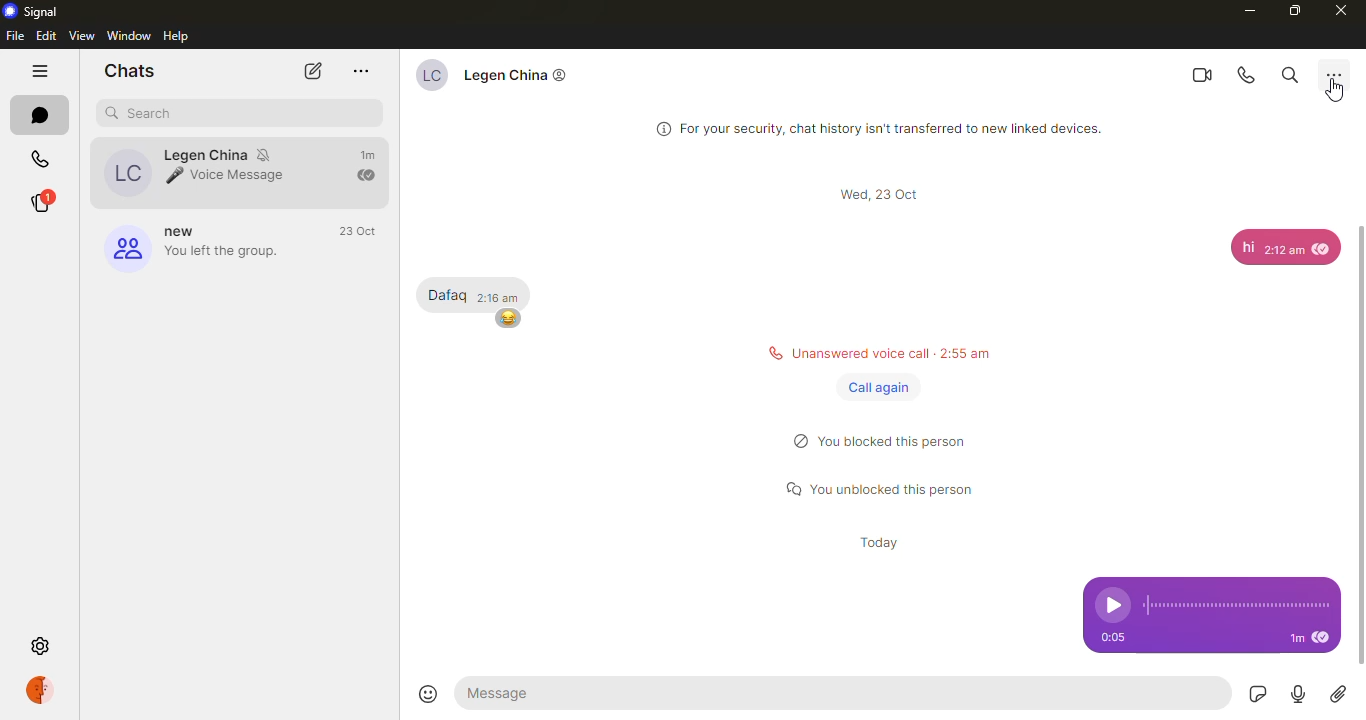 The height and width of the screenshot is (720, 1366). What do you see at coordinates (1235, 605) in the screenshot?
I see `track` at bounding box center [1235, 605].